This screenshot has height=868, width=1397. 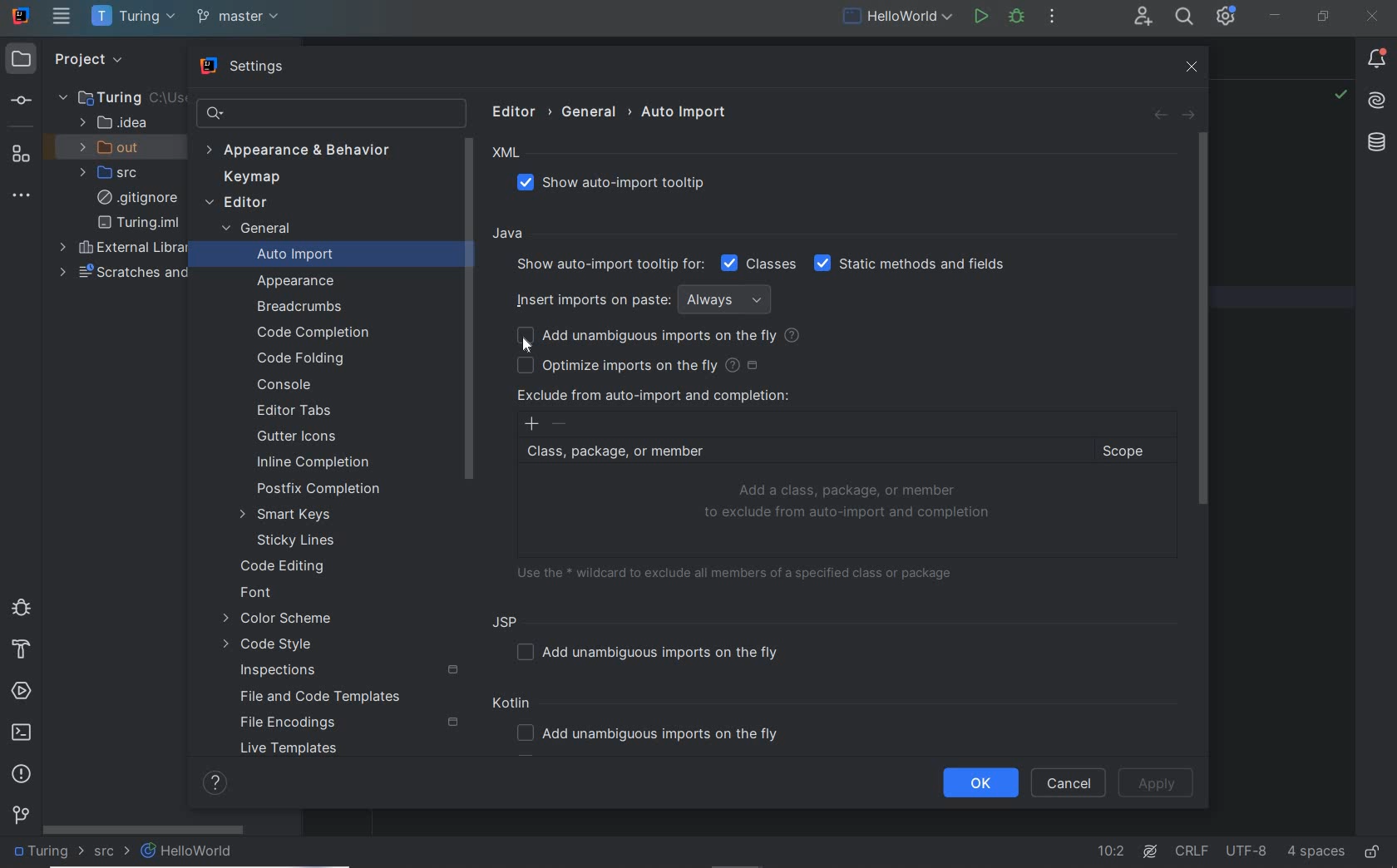 What do you see at coordinates (1016, 16) in the screenshot?
I see `DEBUG` at bounding box center [1016, 16].